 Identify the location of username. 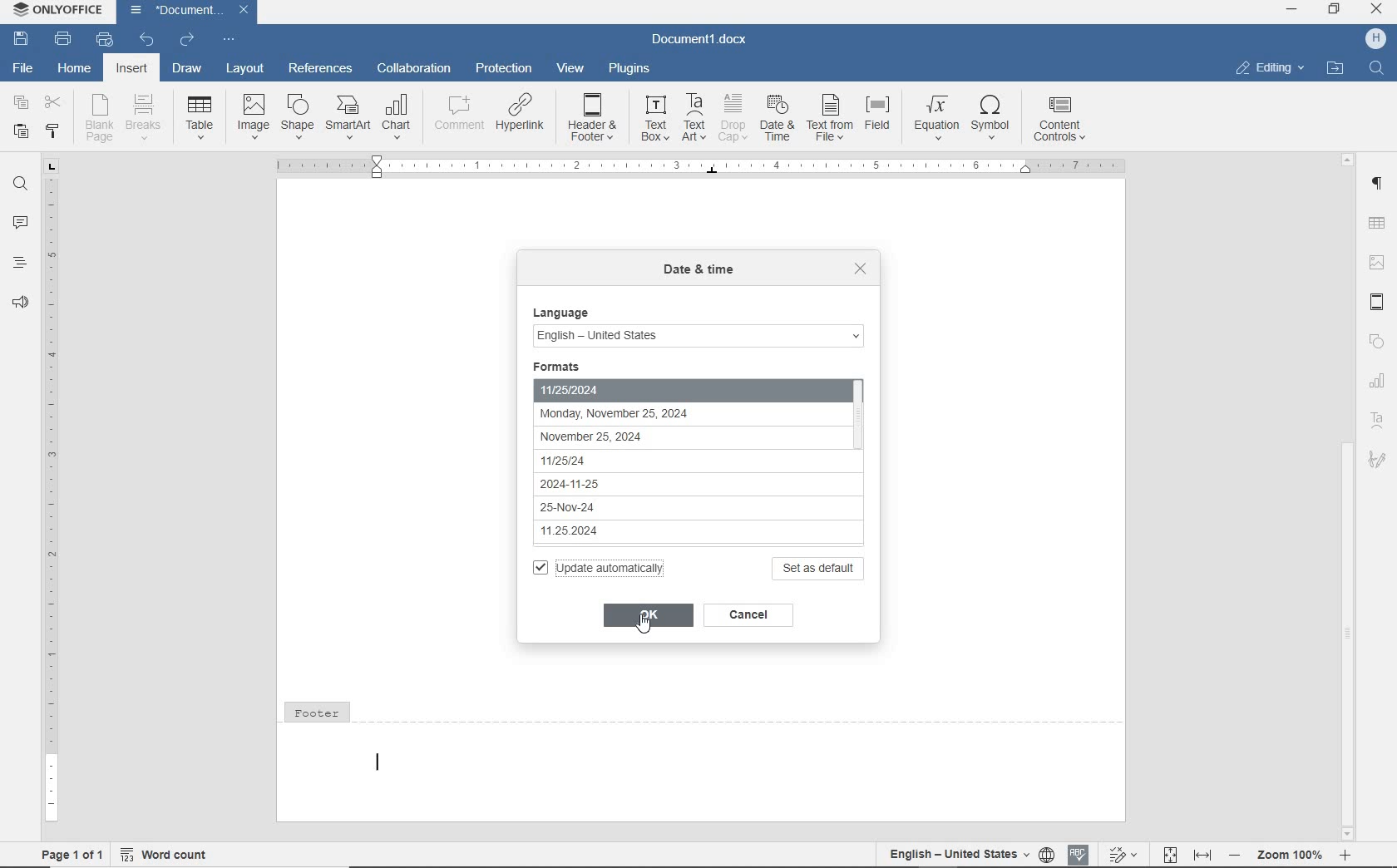
(1376, 39).